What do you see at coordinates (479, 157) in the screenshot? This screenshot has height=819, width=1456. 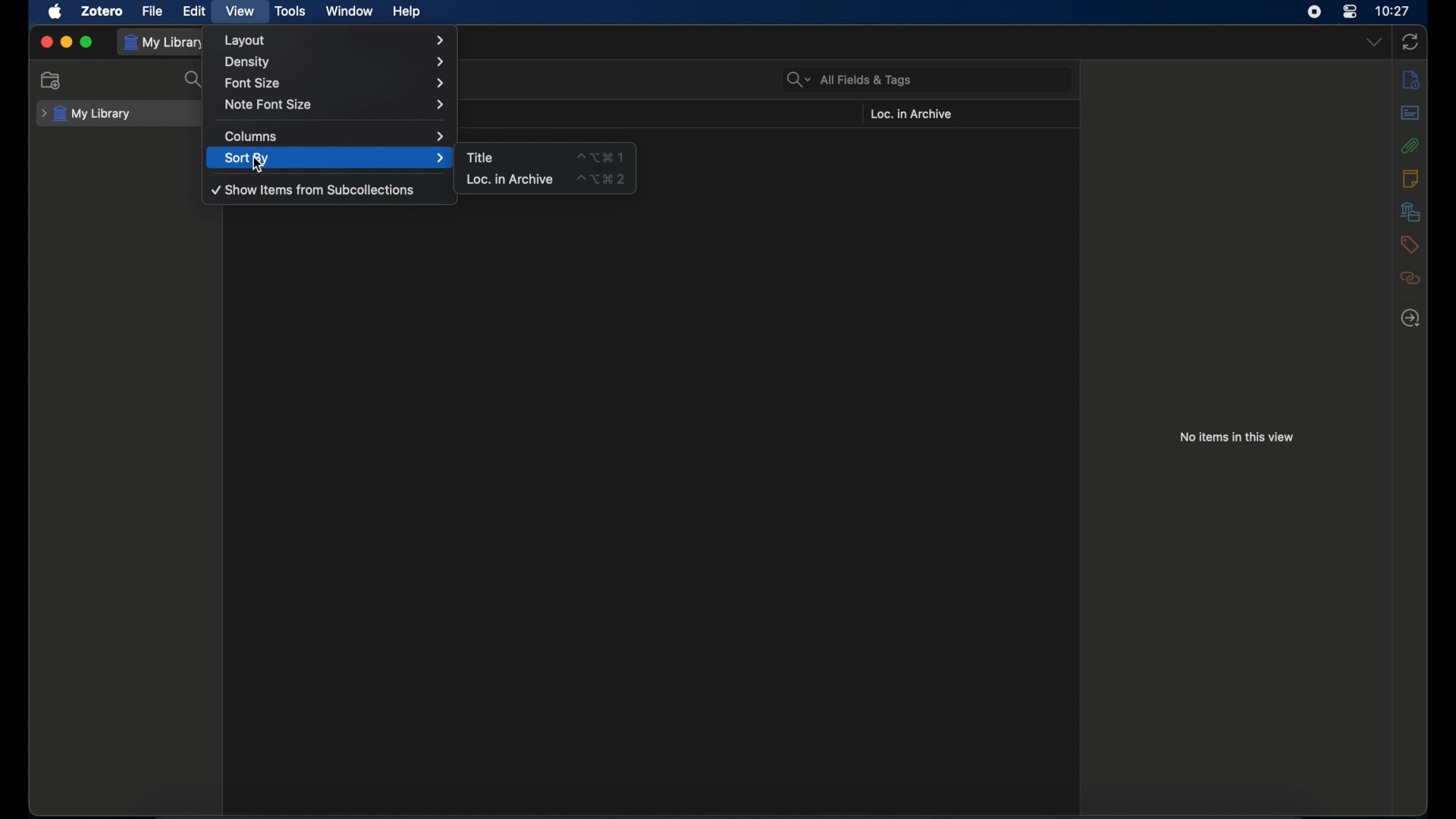 I see `title` at bounding box center [479, 157].